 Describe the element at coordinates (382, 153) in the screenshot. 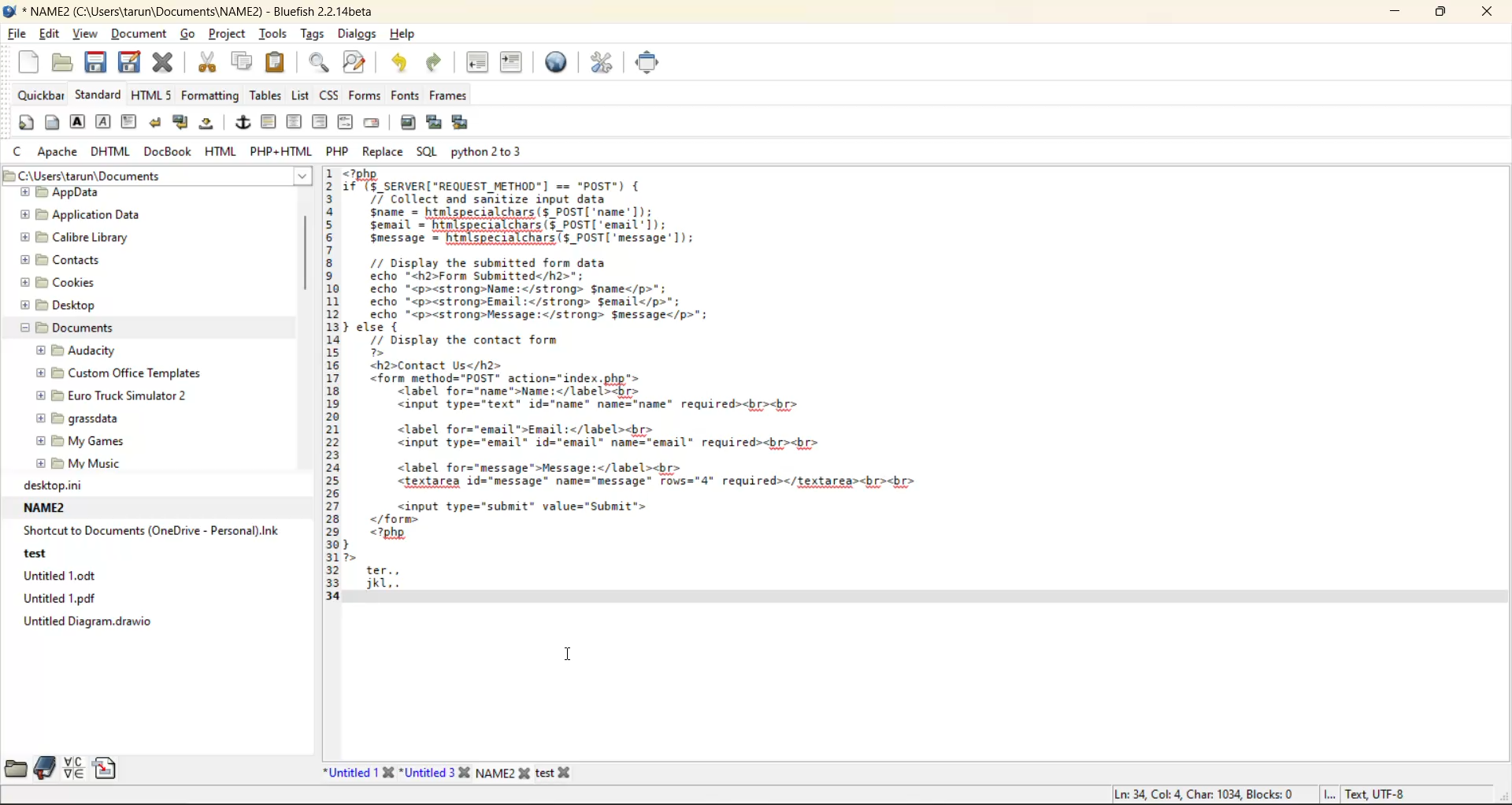

I see `replace` at that location.